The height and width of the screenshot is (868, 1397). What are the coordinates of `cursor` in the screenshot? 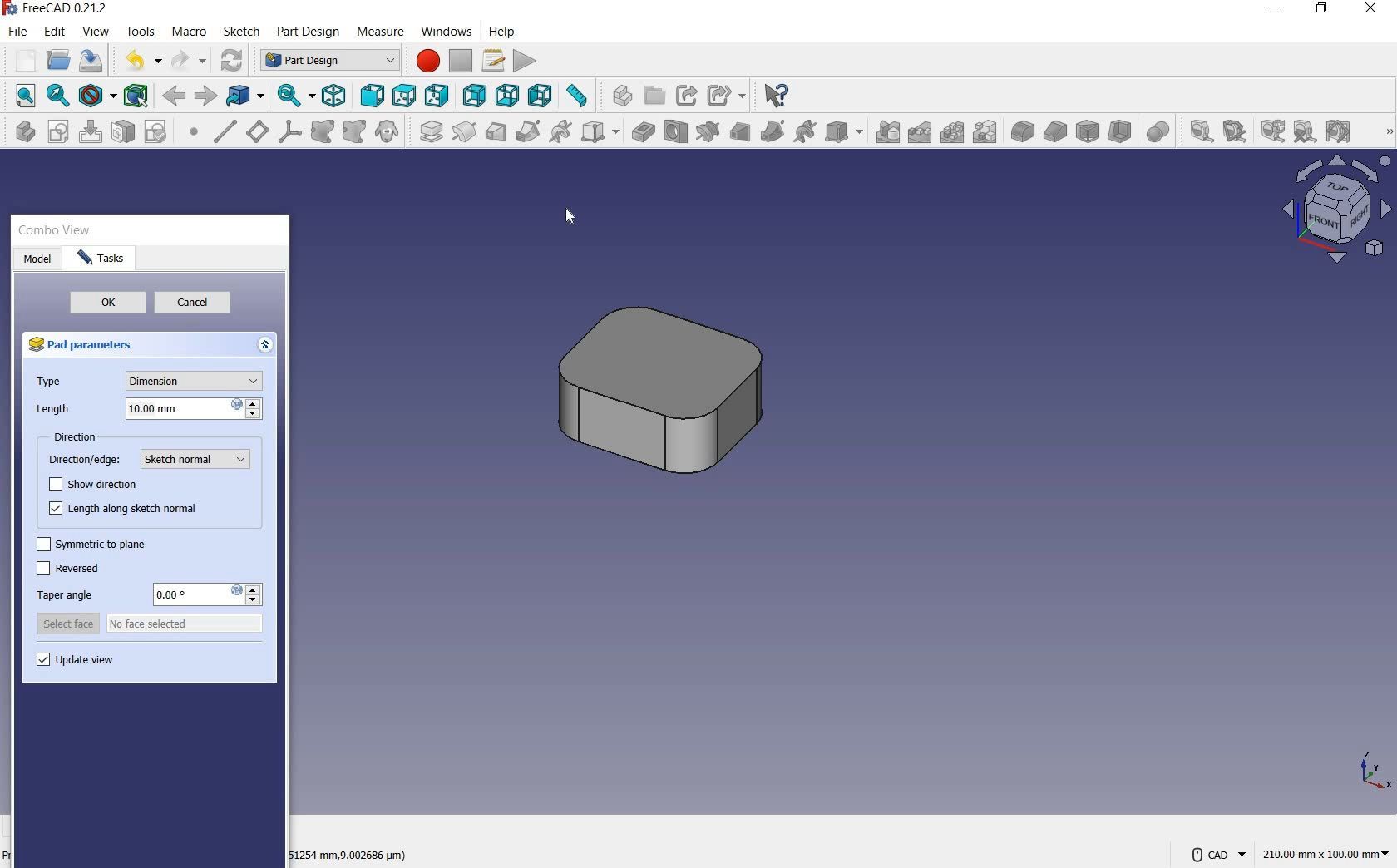 It's located at (573, 224).